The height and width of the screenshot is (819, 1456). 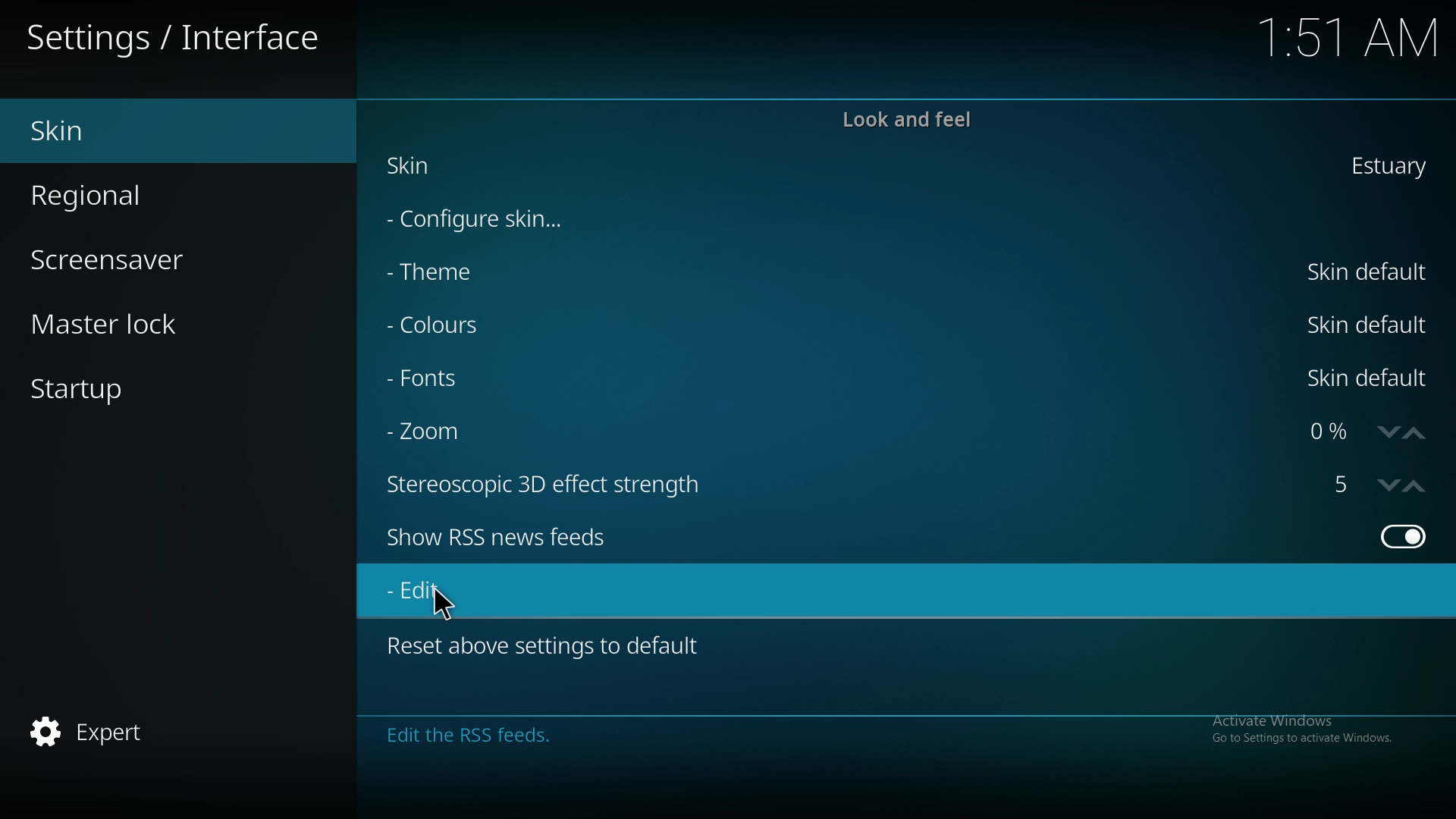 I want to click on increase zoom, so click(x=1416, y=433).